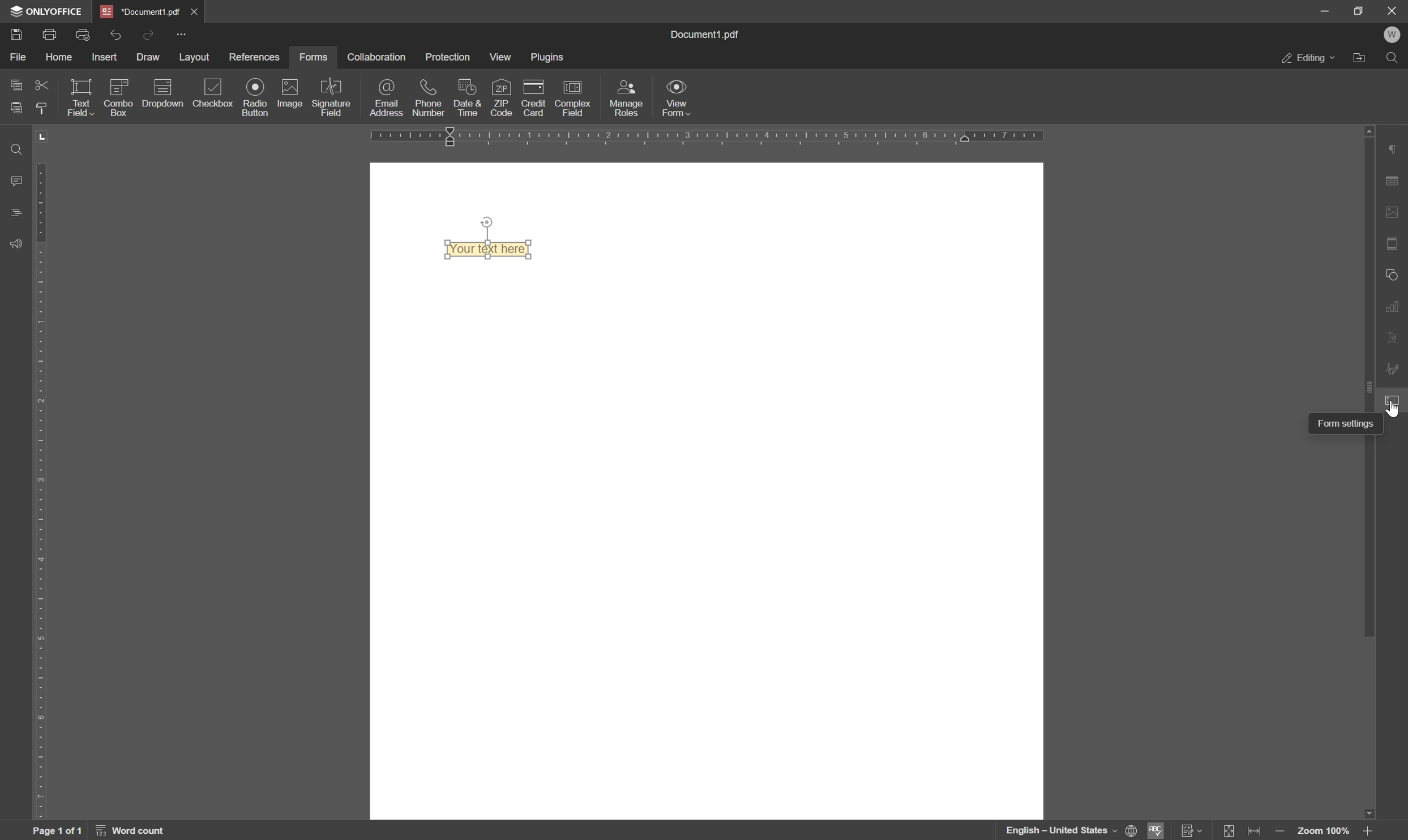  What do you see at coordinates (677, 99) in the screenshot?
I see `view form` at bounding box center [677, 99].